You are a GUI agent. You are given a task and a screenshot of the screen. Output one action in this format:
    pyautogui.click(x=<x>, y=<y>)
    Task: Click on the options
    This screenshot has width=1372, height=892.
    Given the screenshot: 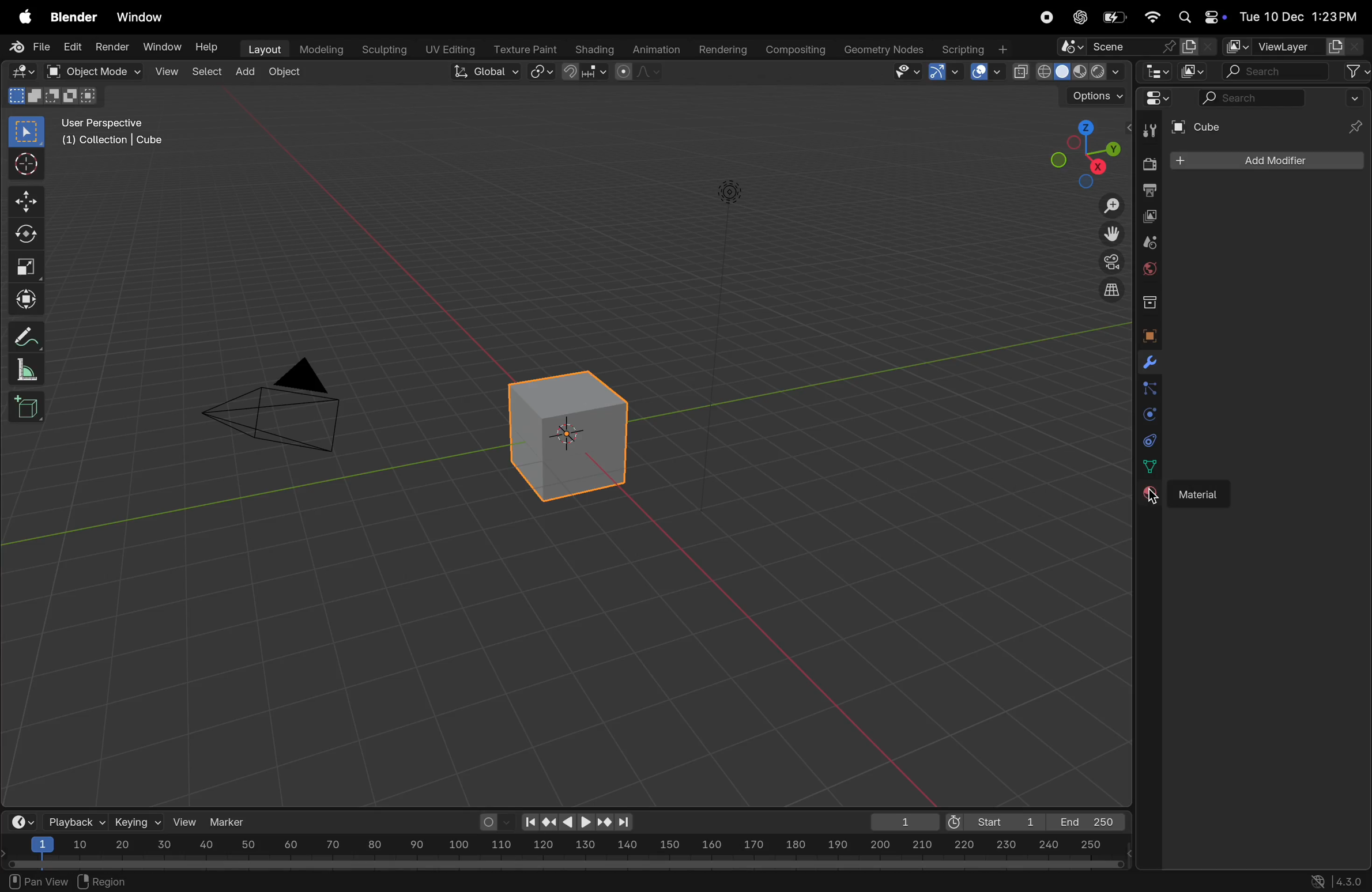 What is the action you would take?
    pyautogui.click(x=1088, y=96)
    